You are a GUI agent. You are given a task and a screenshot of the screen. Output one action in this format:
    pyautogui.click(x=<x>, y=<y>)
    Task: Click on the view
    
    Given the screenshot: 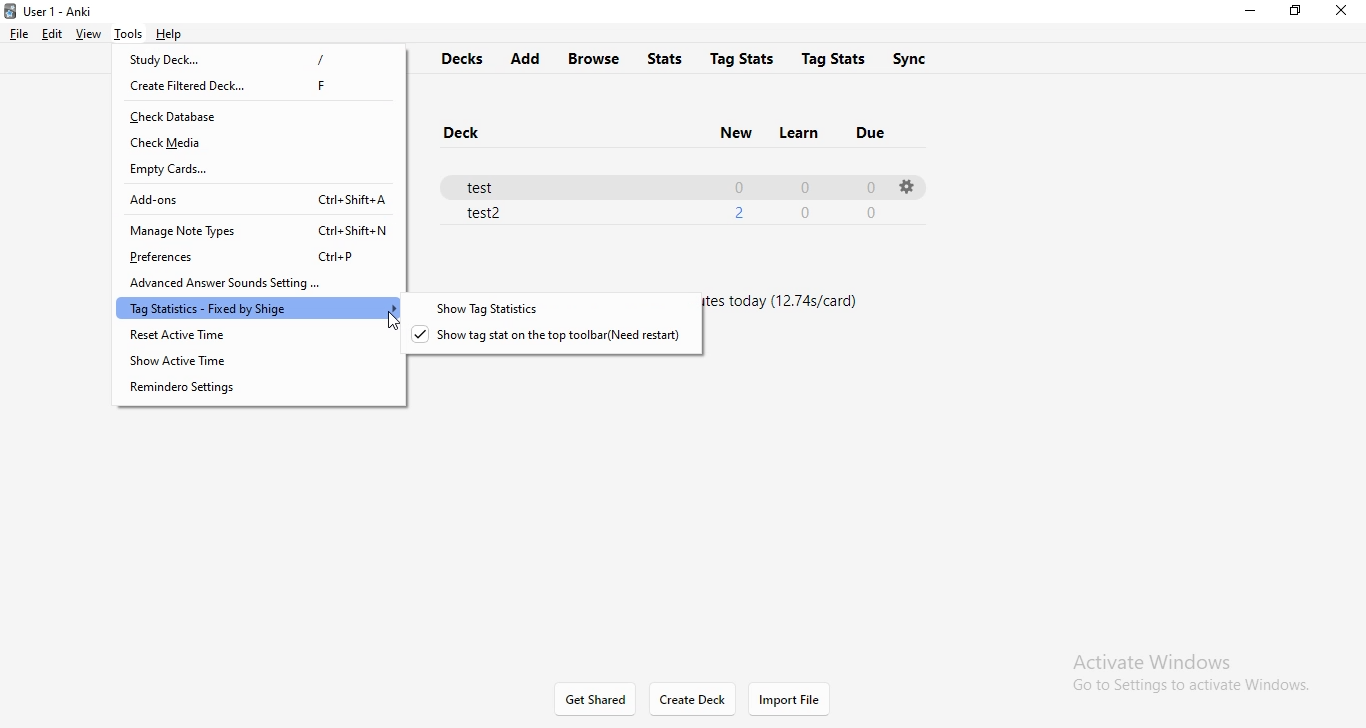 What is the action you would take?
    pyautogui.click(x=89, y=35)
    